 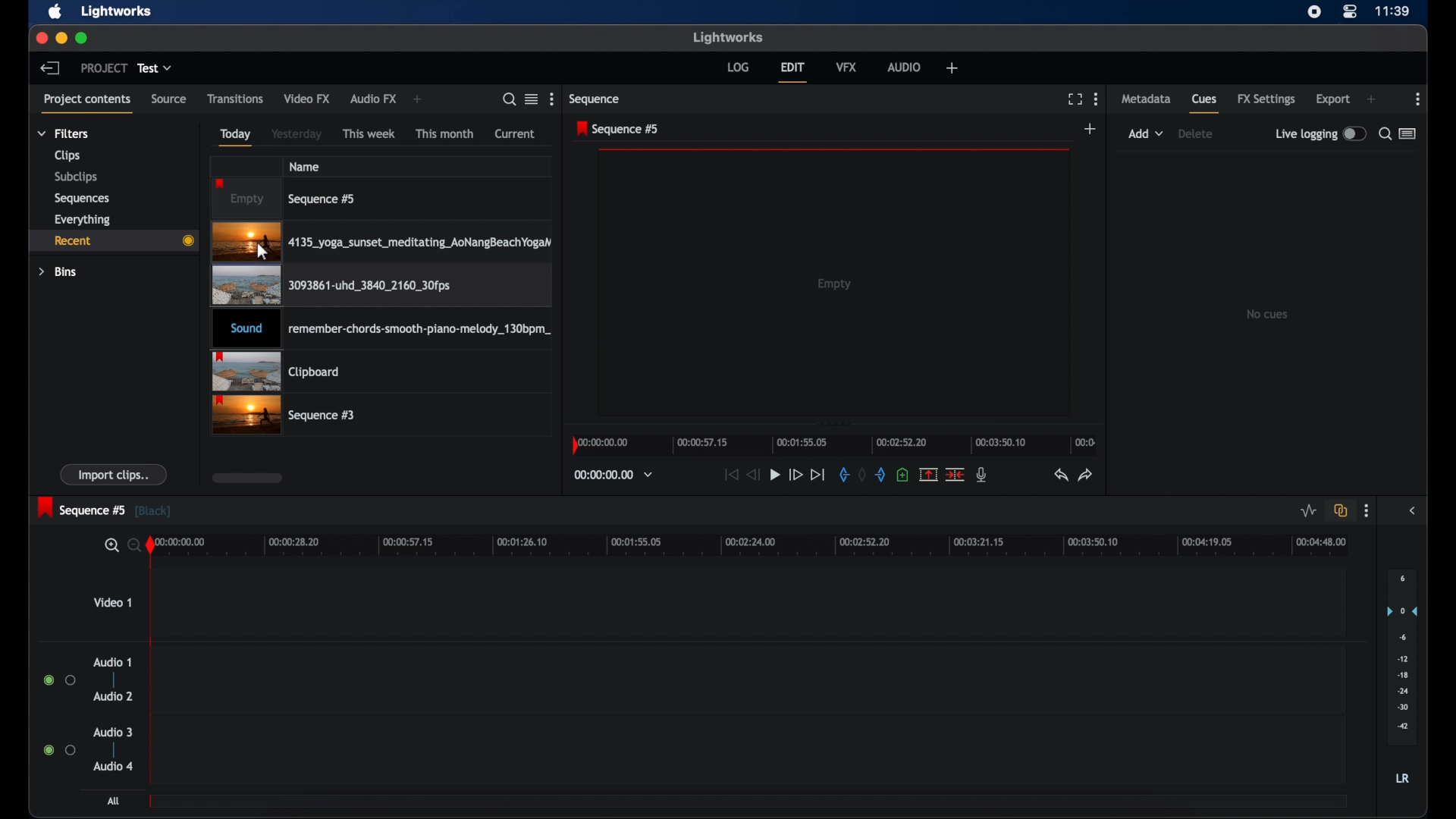 What do you see at coordinates (1075, 99) in the screenshot?
I see `full screen` at bounding box center [1075, 99].